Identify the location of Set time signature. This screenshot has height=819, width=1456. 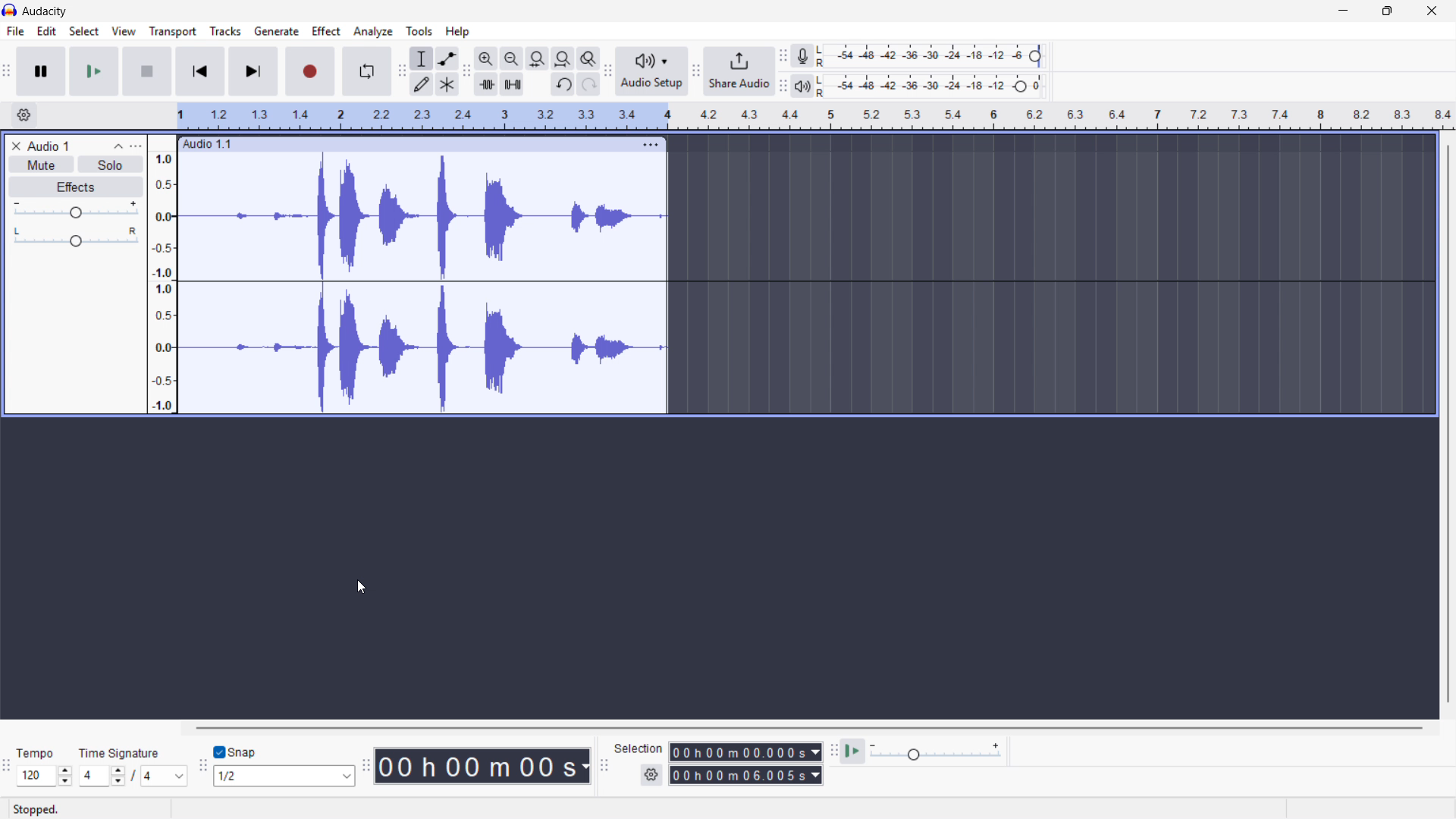
(133, 765).